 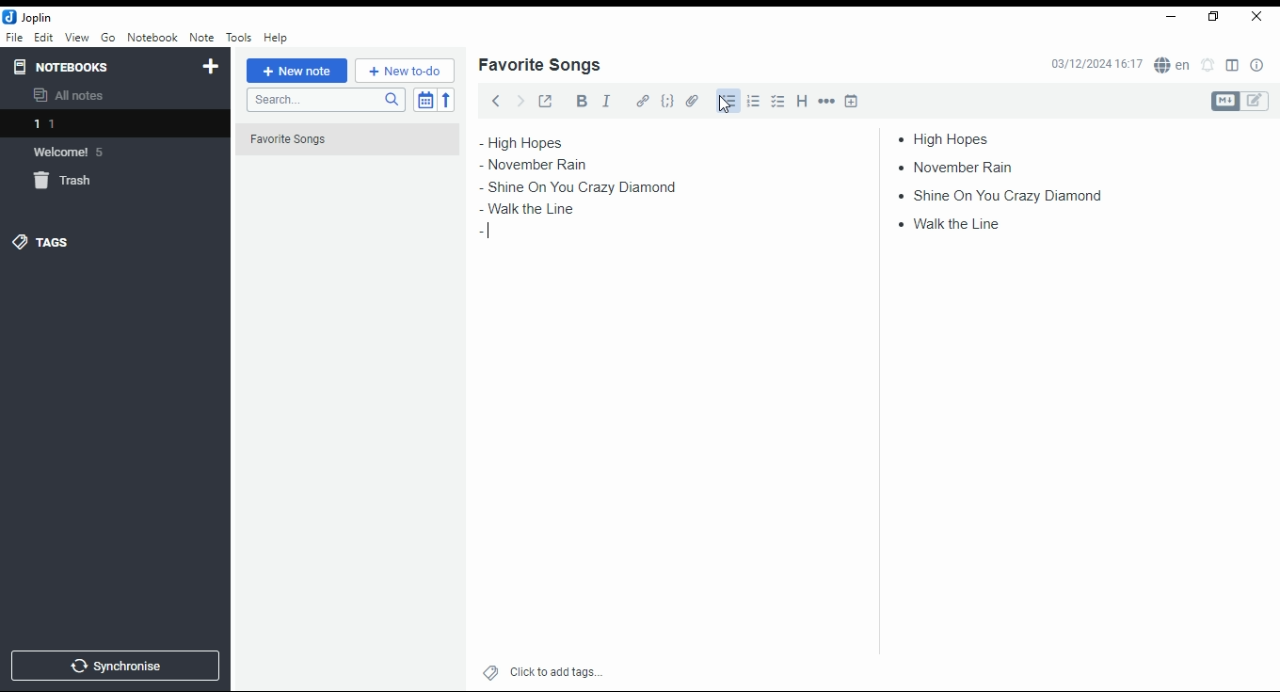 What do you see at coordinates (693, 100) in the screenshot?
I see `attach file` at bounding box center [693, 100].